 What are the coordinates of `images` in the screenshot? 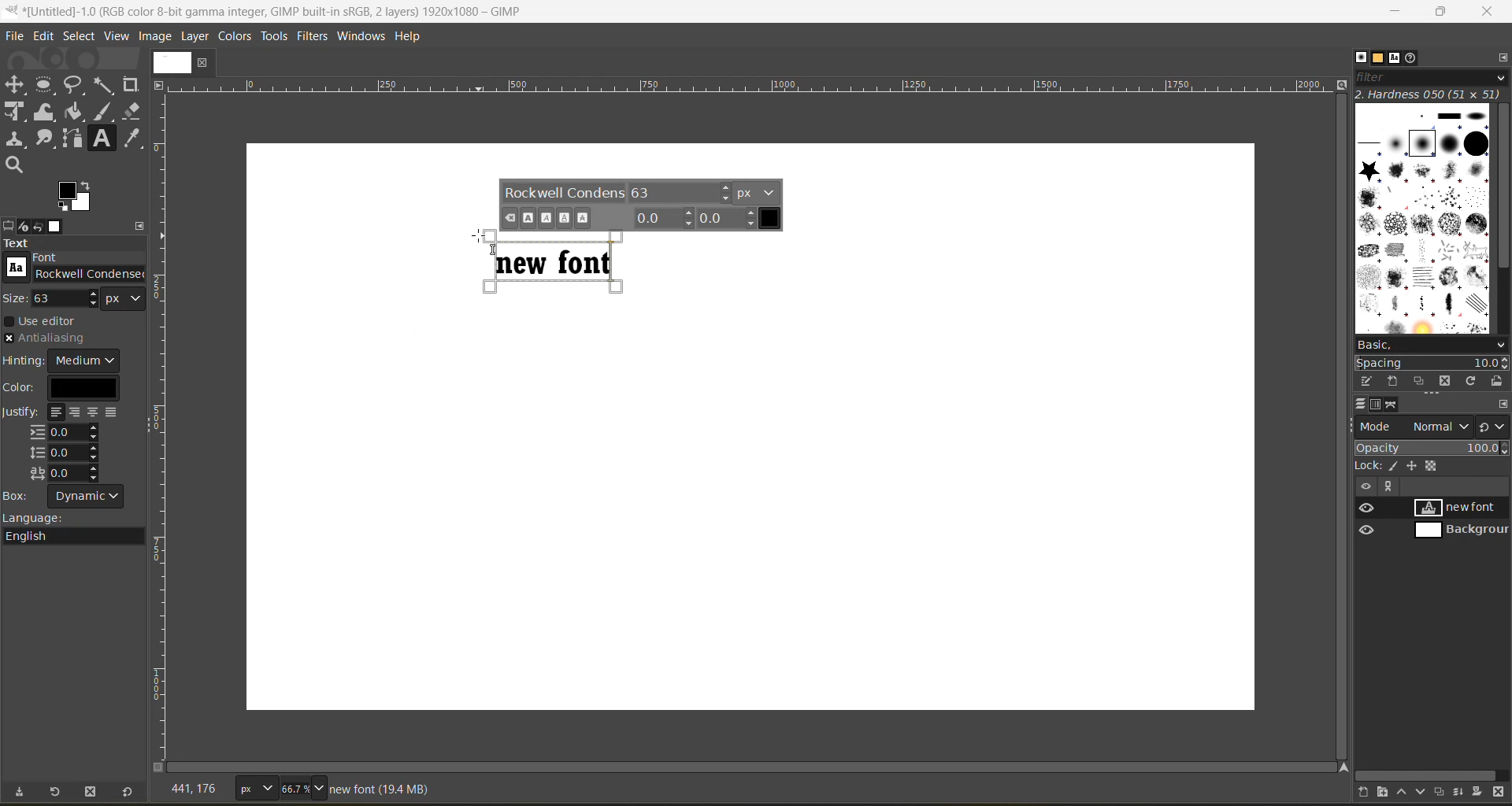 It's located at (59, 227).